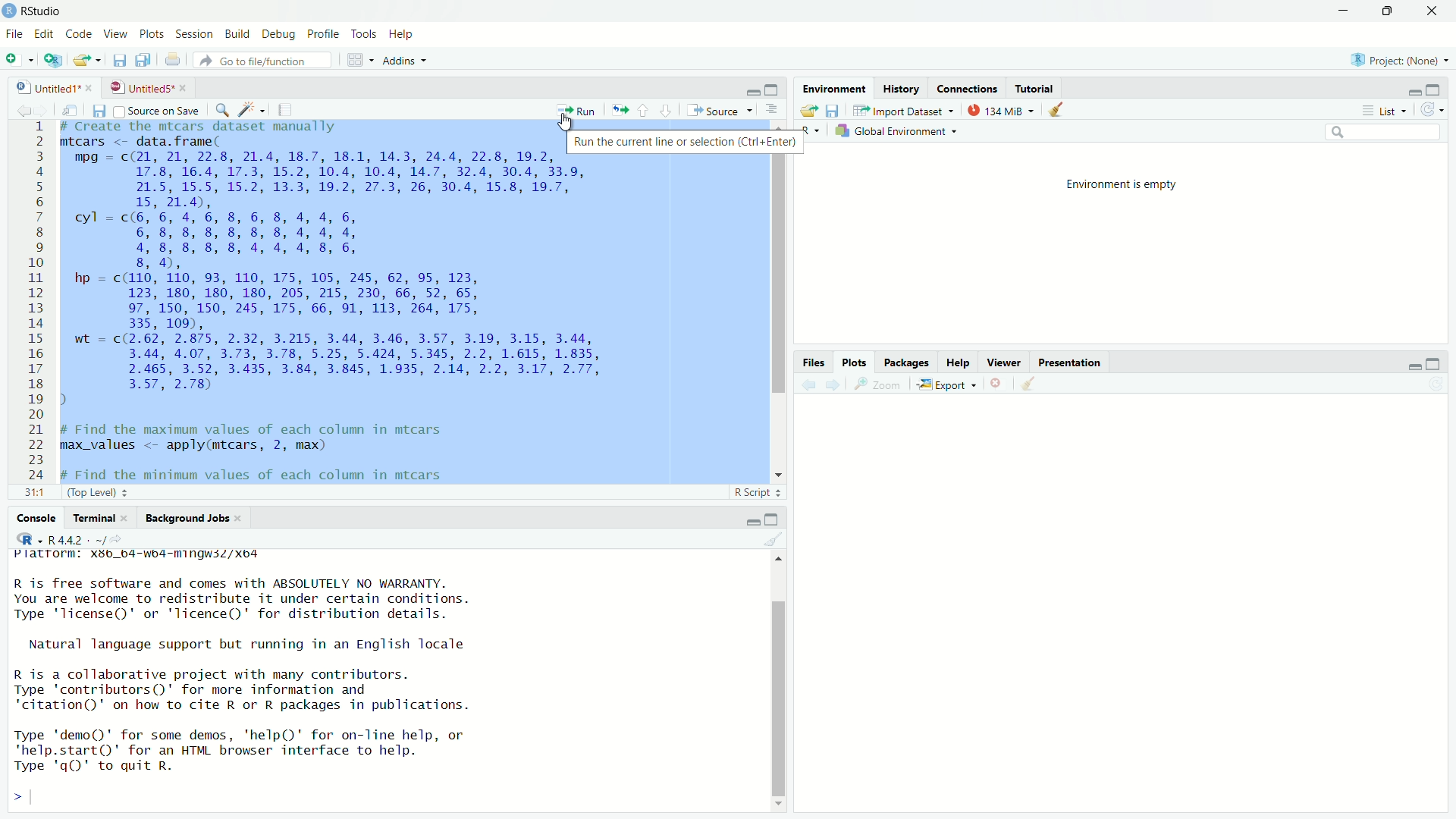  What do you see at coordinates (754, 491) in the screenshot?
I see `R Script ` at bounding box center [754, 491].